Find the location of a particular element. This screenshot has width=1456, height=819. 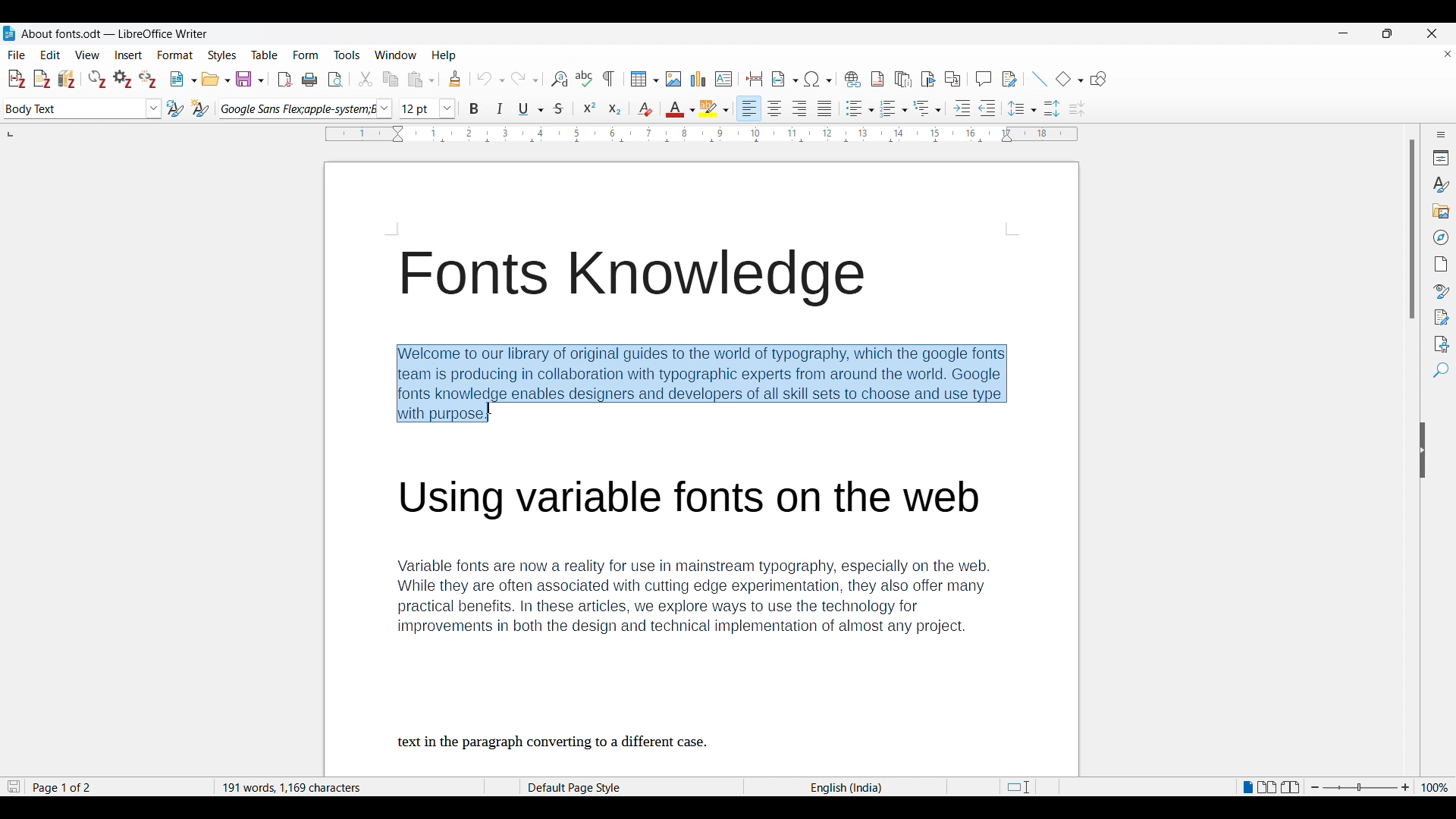

Centre alignment is located at coordinates (774, 108).